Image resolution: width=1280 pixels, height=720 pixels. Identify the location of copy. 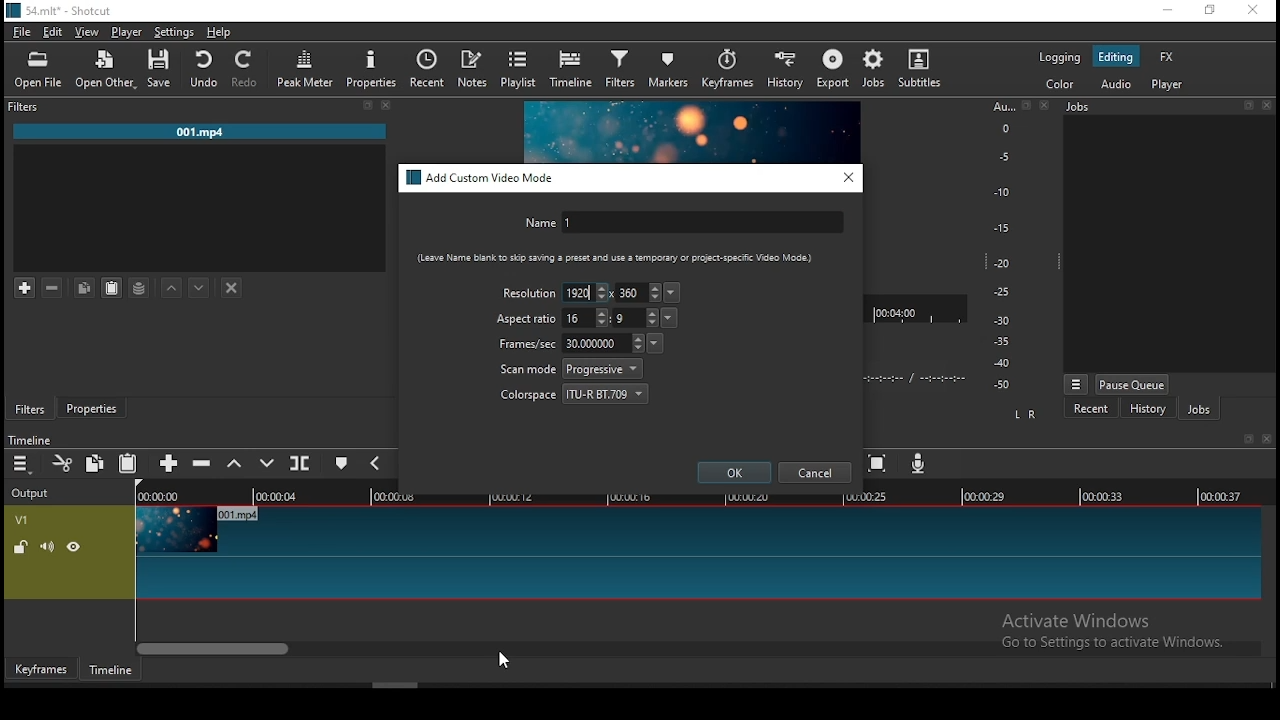
(95, 462).